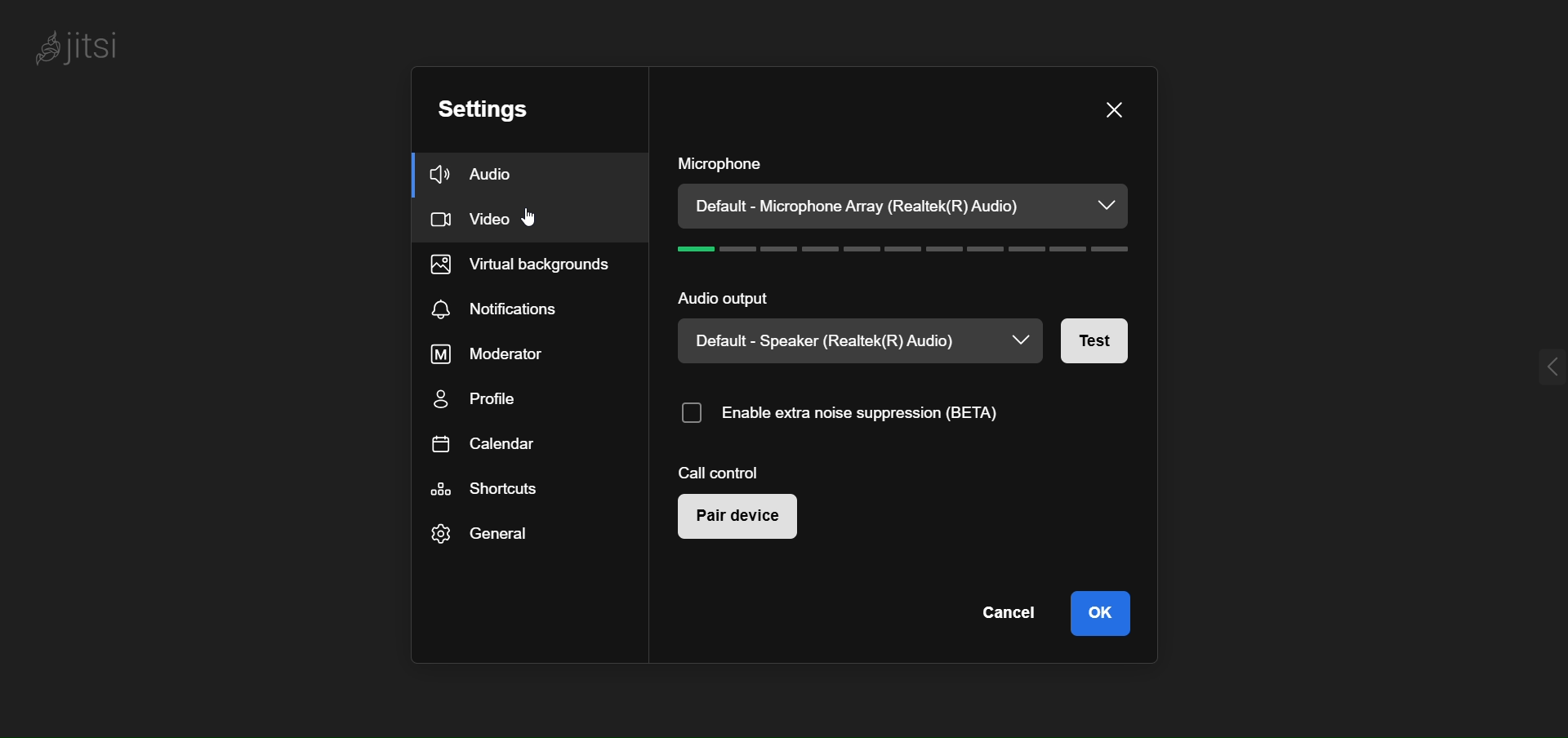  What do you see at coordinates (724, 469) in the screenshot?
I see `call control` at bounding box center [724, 469].